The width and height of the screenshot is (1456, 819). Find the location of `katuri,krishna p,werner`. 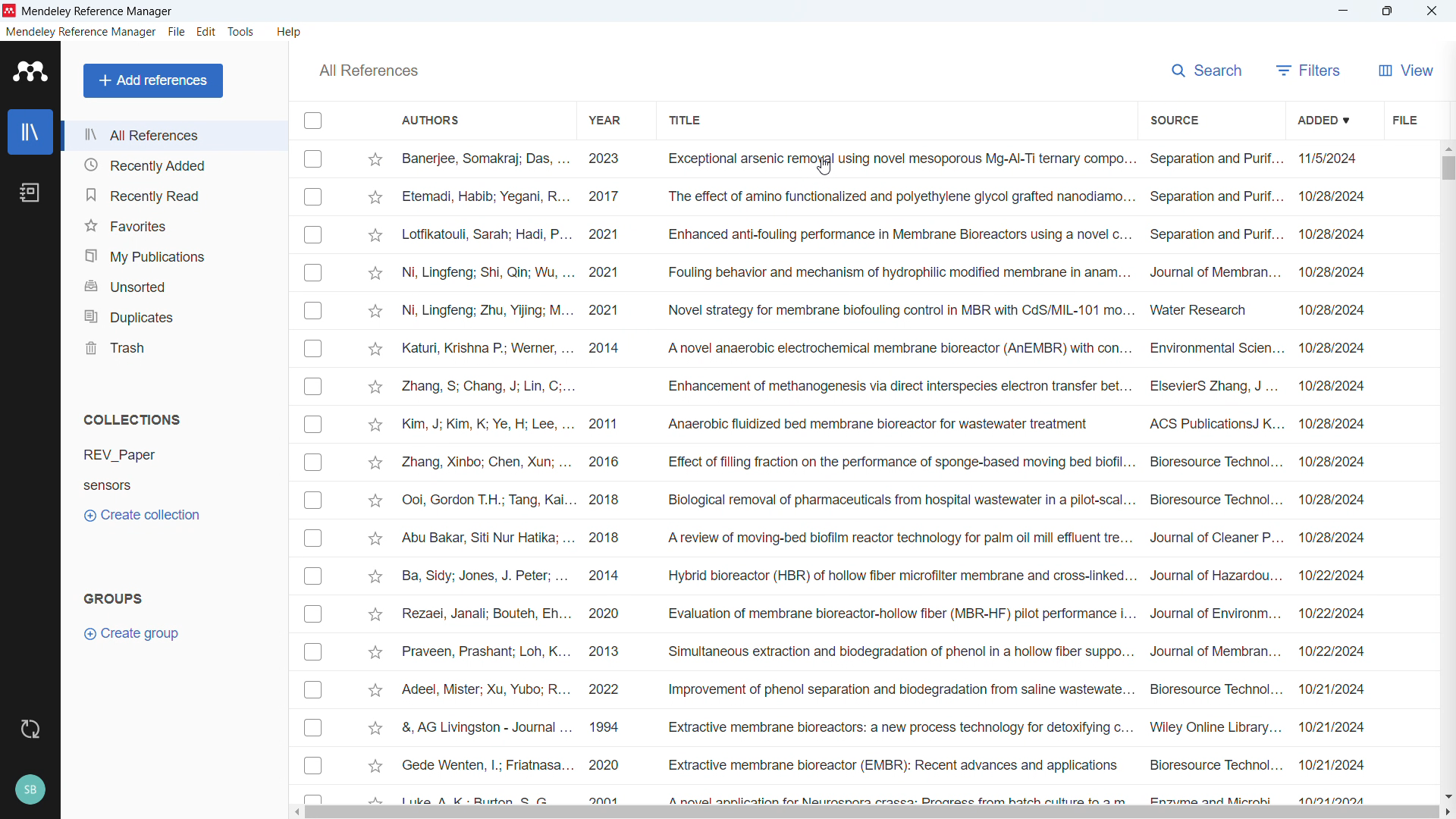

katuri,krishna p,werner is located at coordinates (486, 347).